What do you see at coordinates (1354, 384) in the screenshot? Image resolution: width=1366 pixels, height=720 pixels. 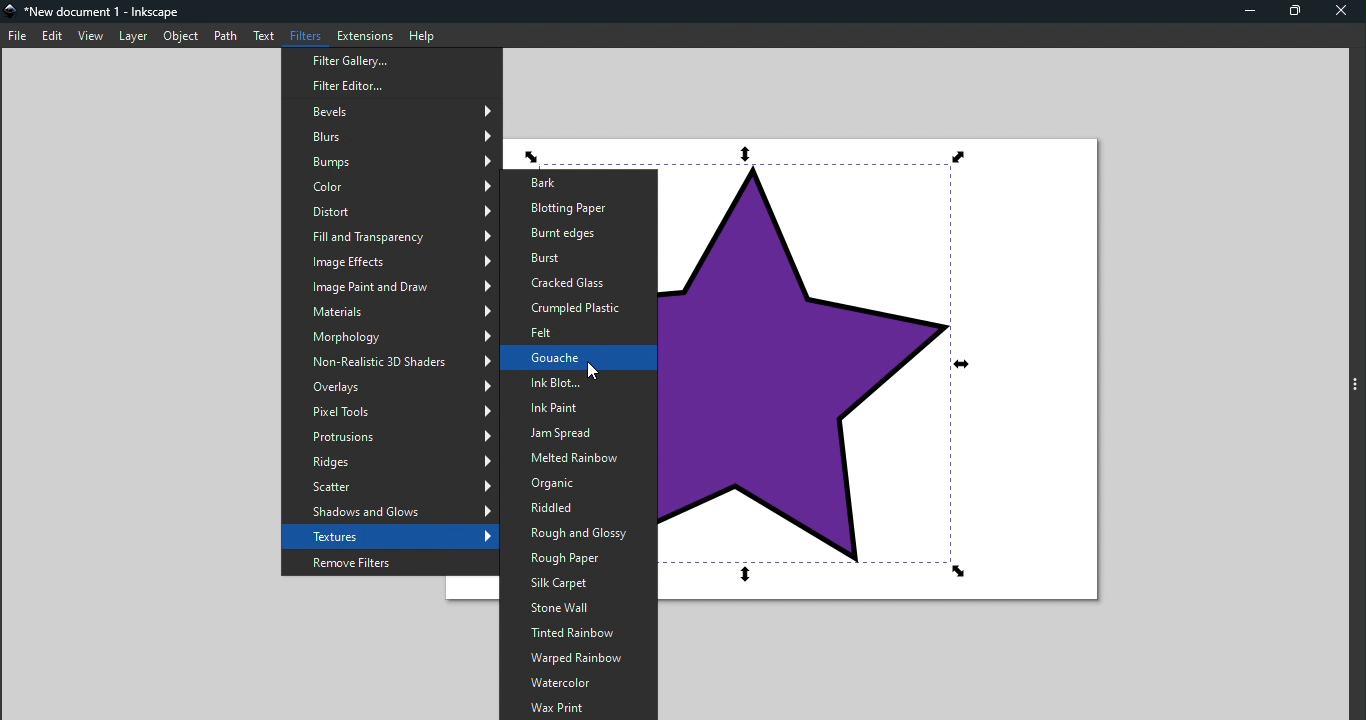 I see `toggle command panel` at bounding box center [1354, 384].